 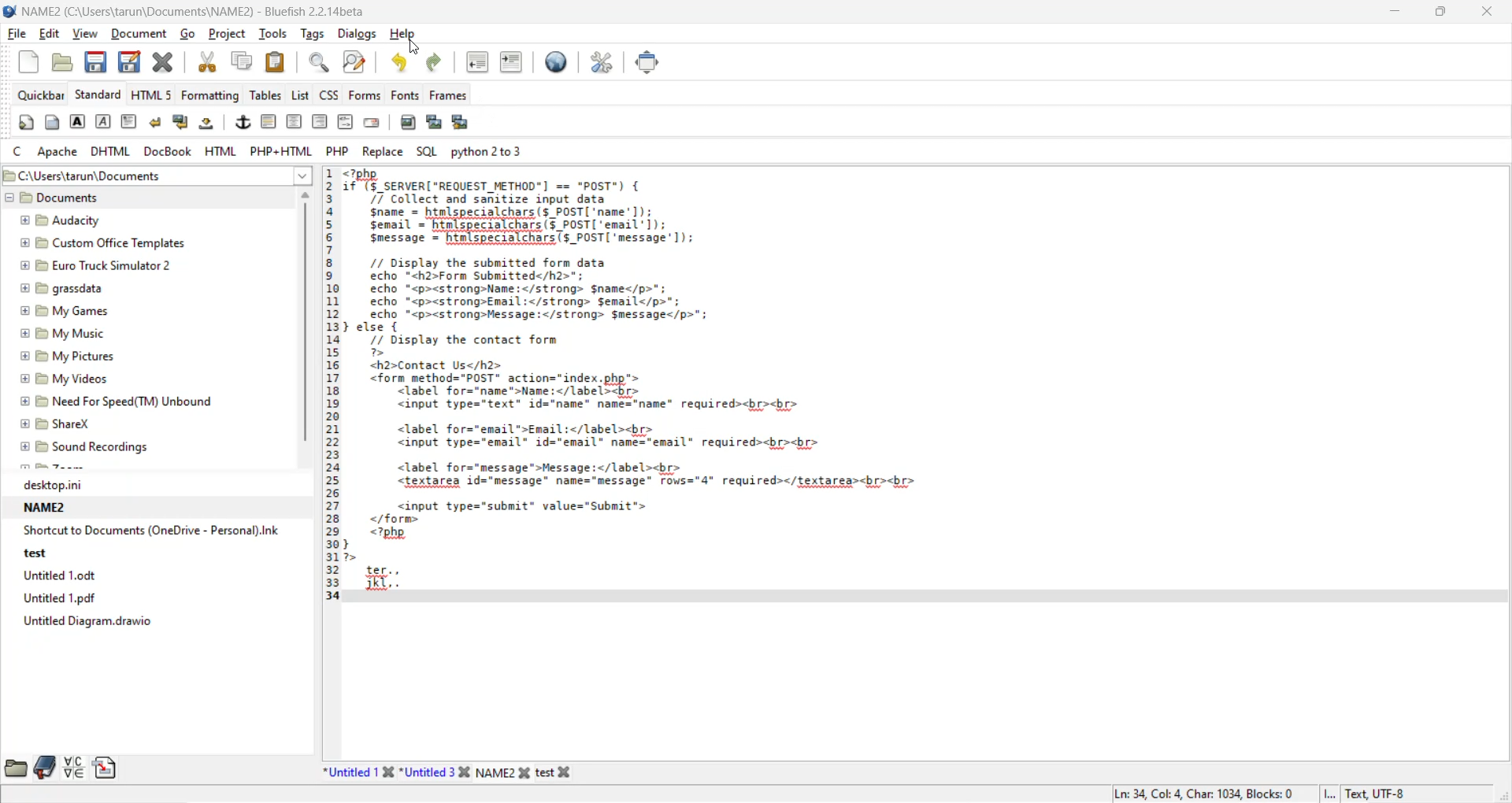 What do you see at coordinates (449, 94) in the screenshot?
I see `frames` at bounding box center [449, 94].